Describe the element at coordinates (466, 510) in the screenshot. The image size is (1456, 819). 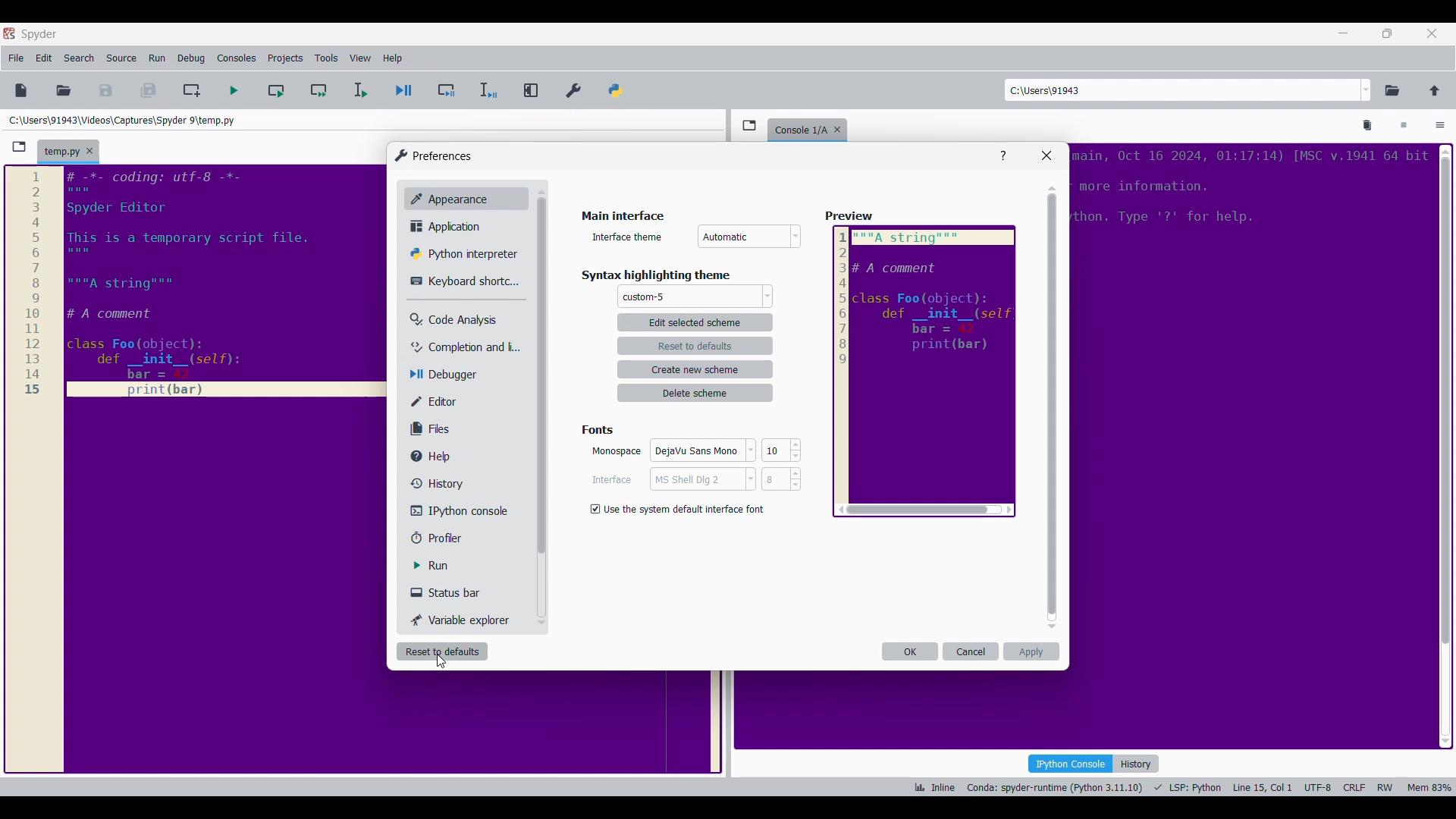
I see `IPython console` at that location.